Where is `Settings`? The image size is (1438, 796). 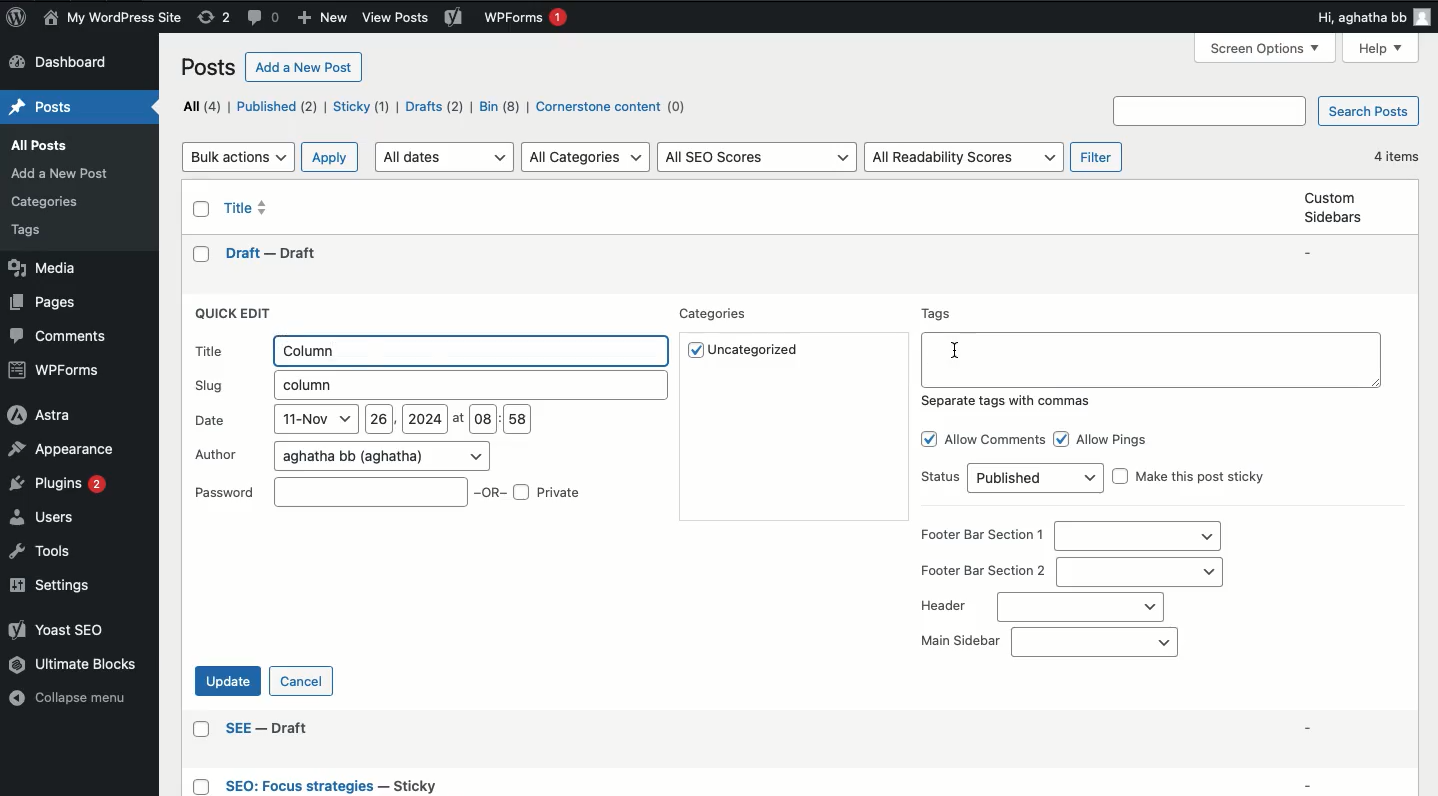
Settings is located at coordinates (57, 586).